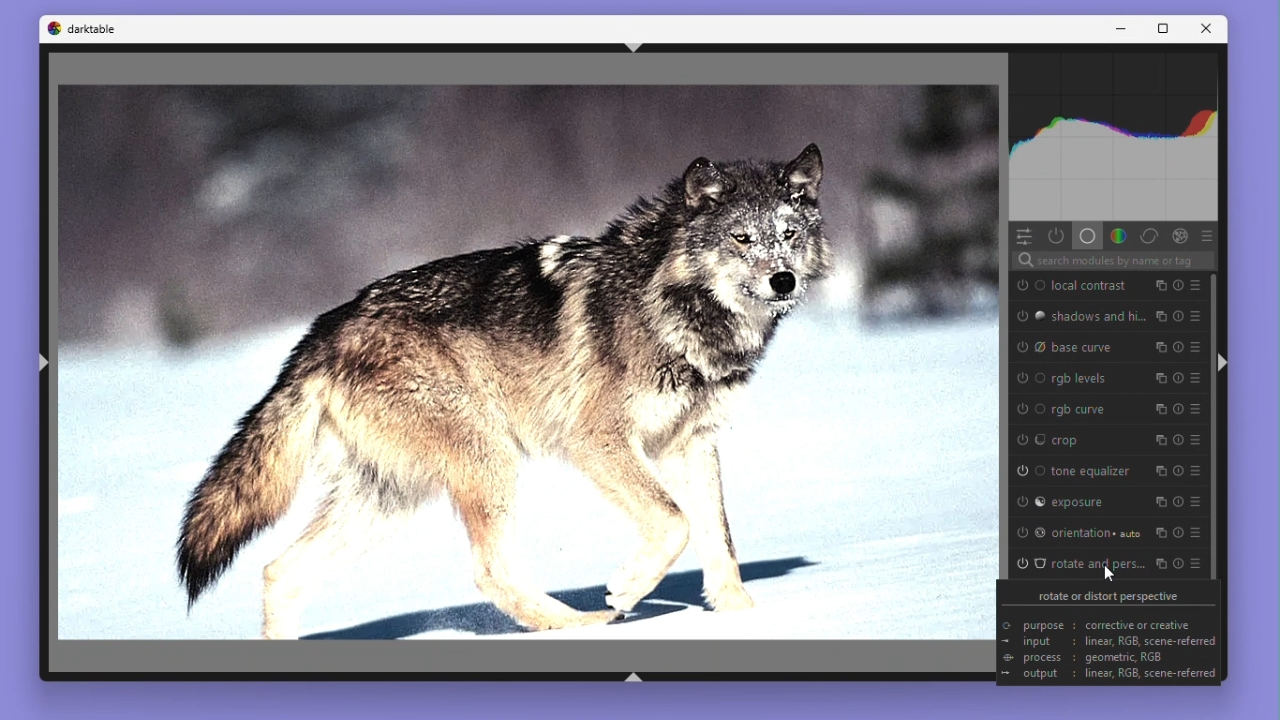 This screenshot has width=1280, height=720. I want to click on Base curve, so click(1107, 347).